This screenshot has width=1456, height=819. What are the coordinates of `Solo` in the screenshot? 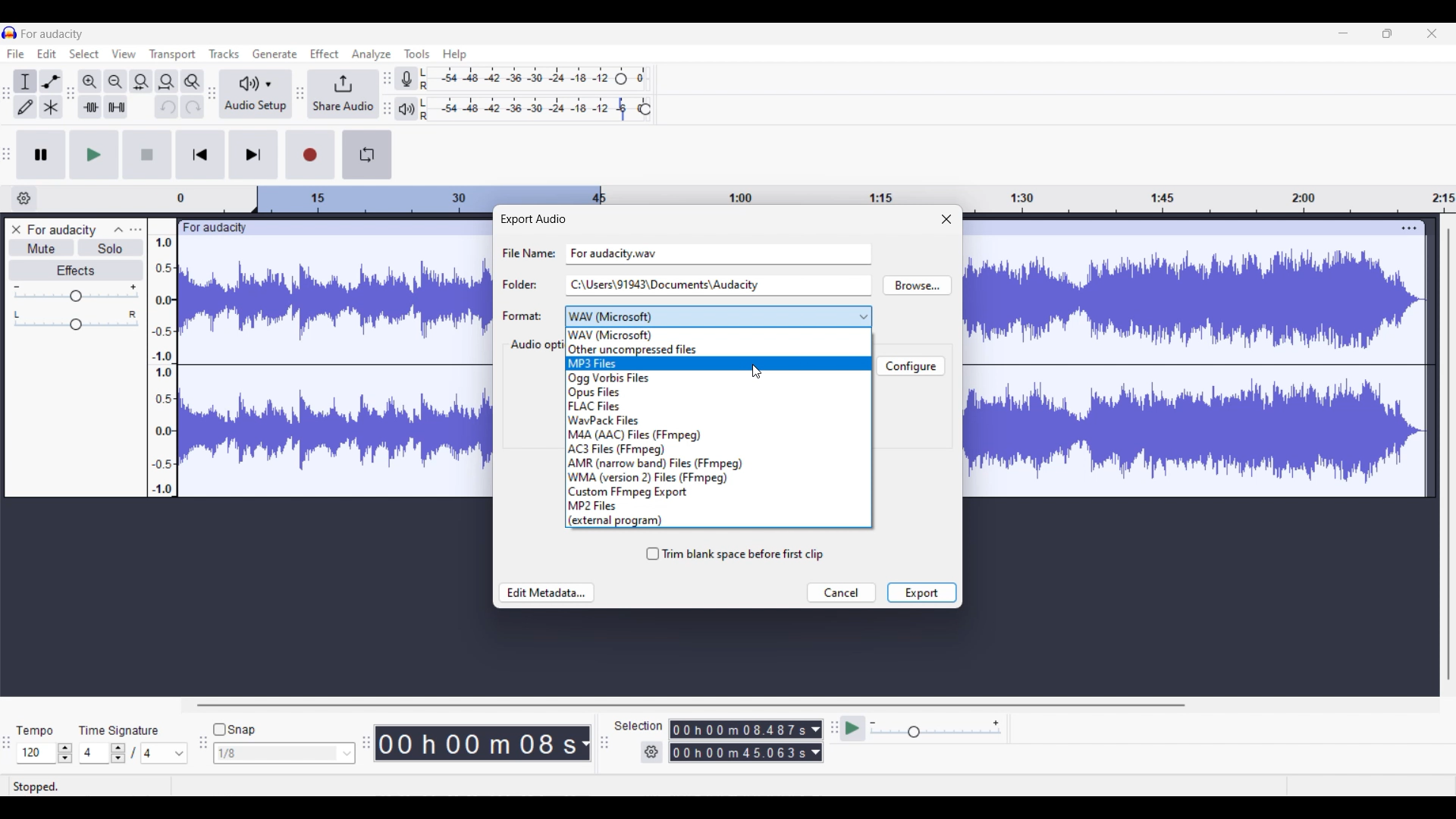 It's located at (111, 247).